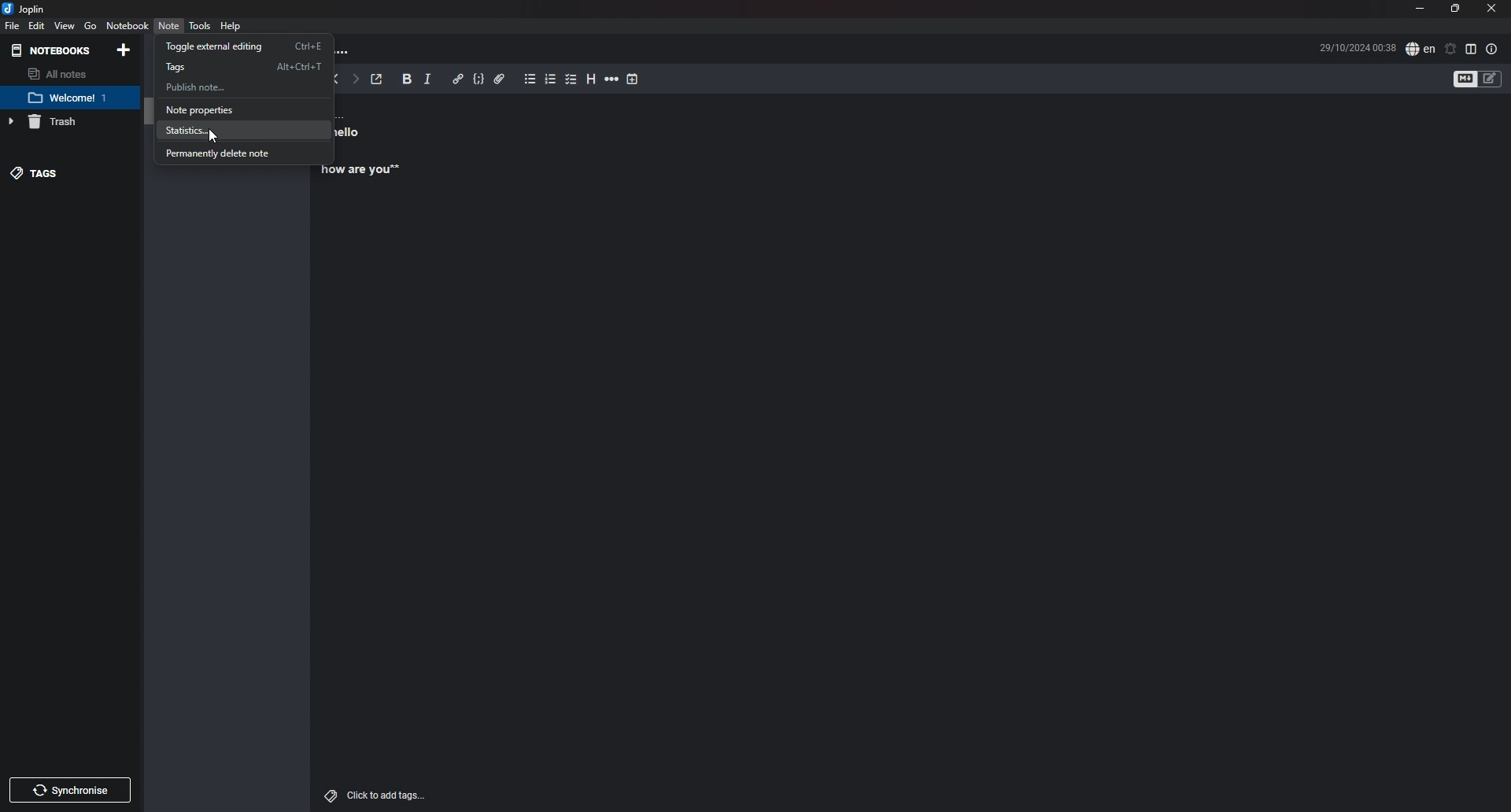 The image size is (1511, 812). I want to click on bold, so click(408, 80).